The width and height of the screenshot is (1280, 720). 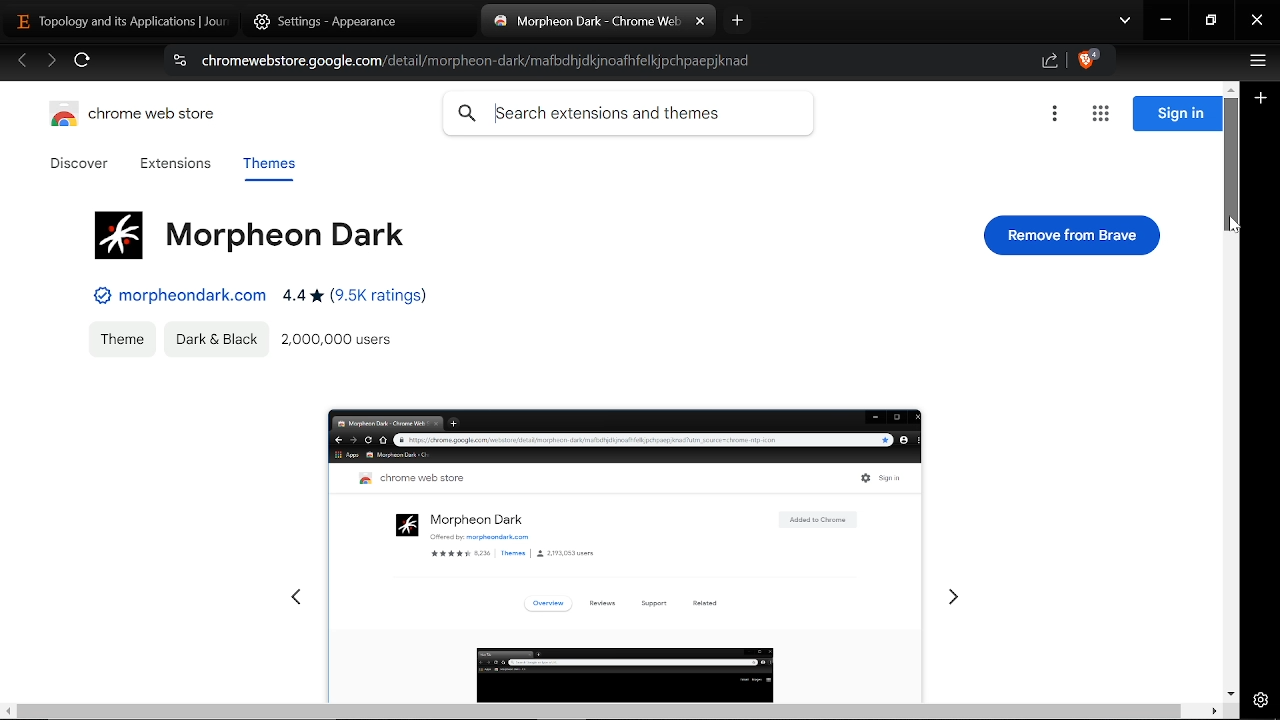 What do you see at coordinates (738, 20) in the screenshot?
I see `New tab` at bounding box center [738, 20].